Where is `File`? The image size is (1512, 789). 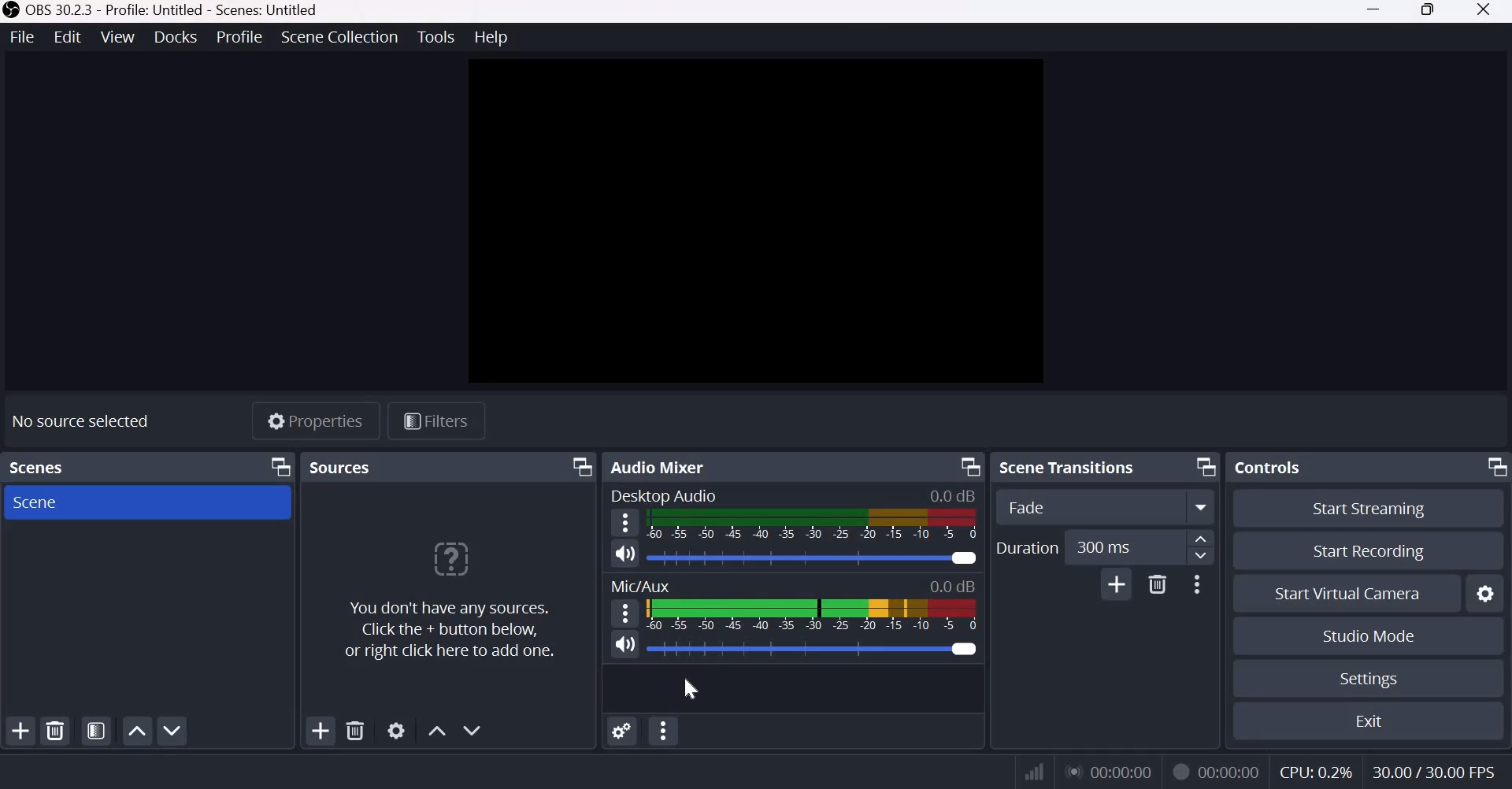
File is located at coordinates (22, 37).